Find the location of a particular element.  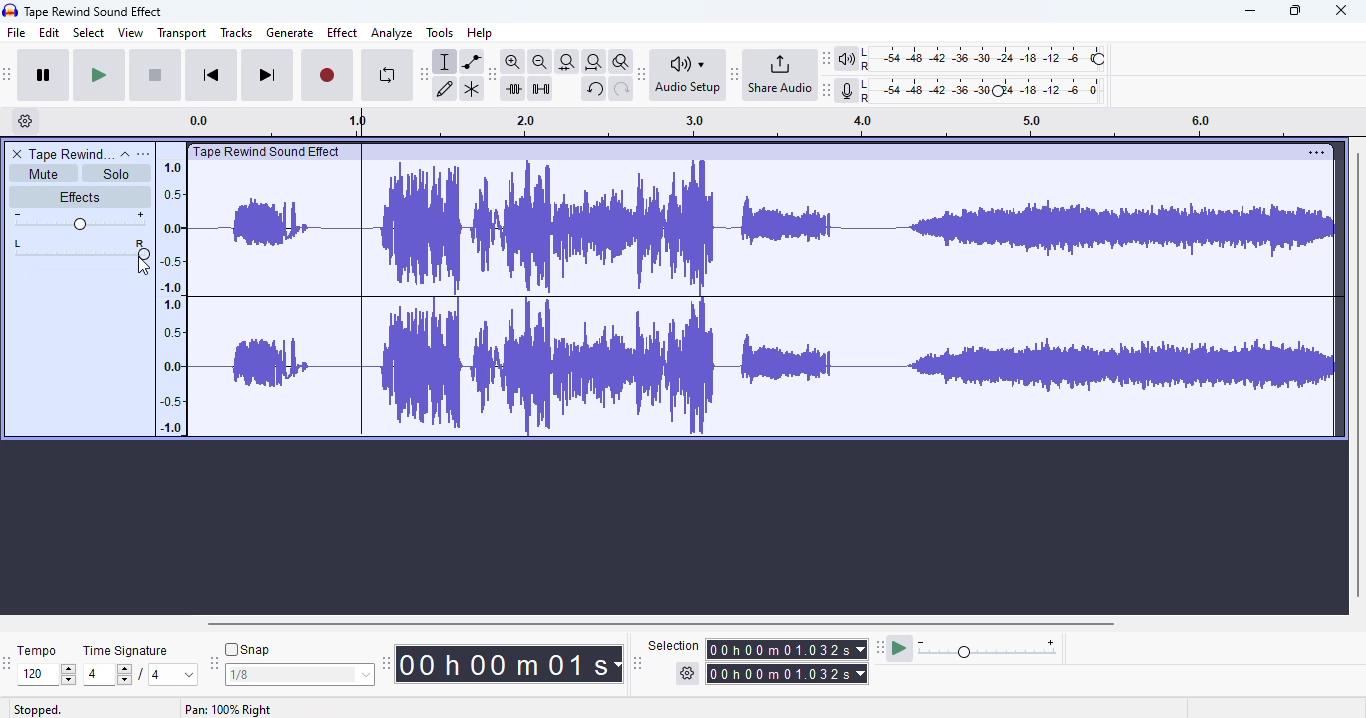

mouse up is located at coordinates (143, 266).